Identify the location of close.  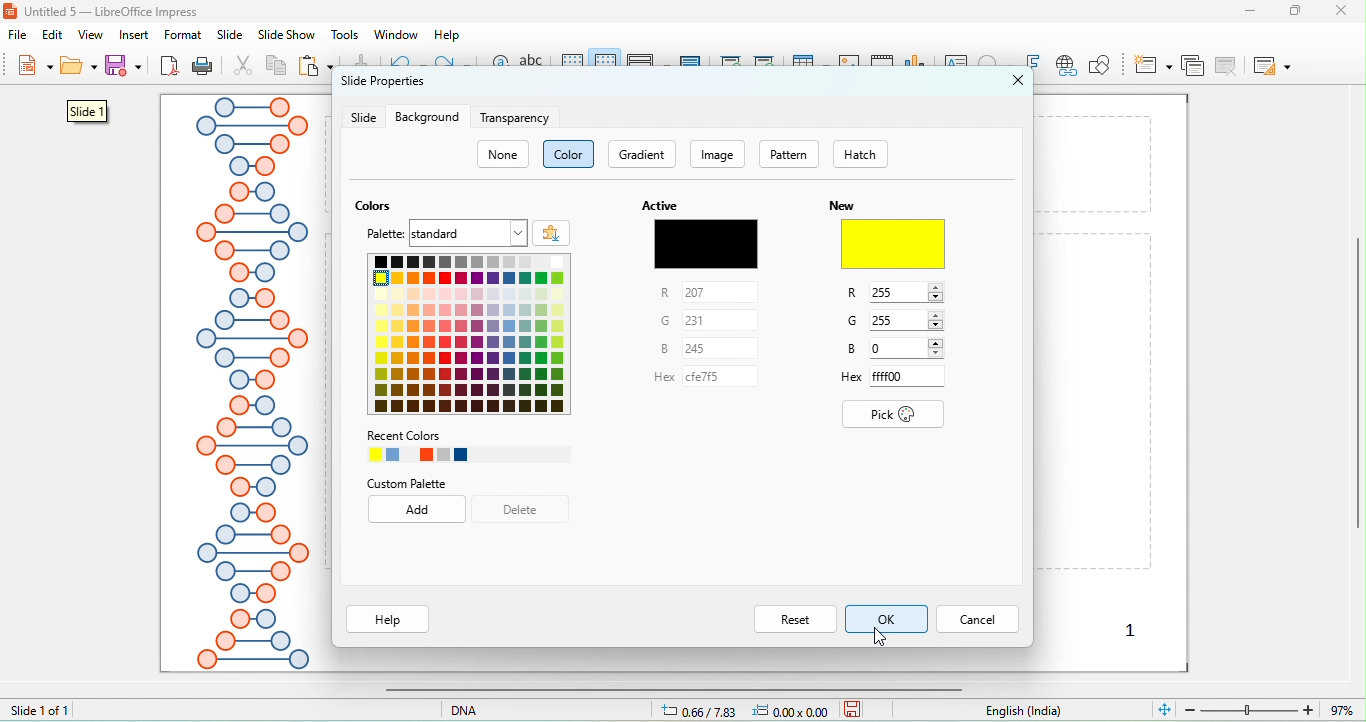
(1347, 10).